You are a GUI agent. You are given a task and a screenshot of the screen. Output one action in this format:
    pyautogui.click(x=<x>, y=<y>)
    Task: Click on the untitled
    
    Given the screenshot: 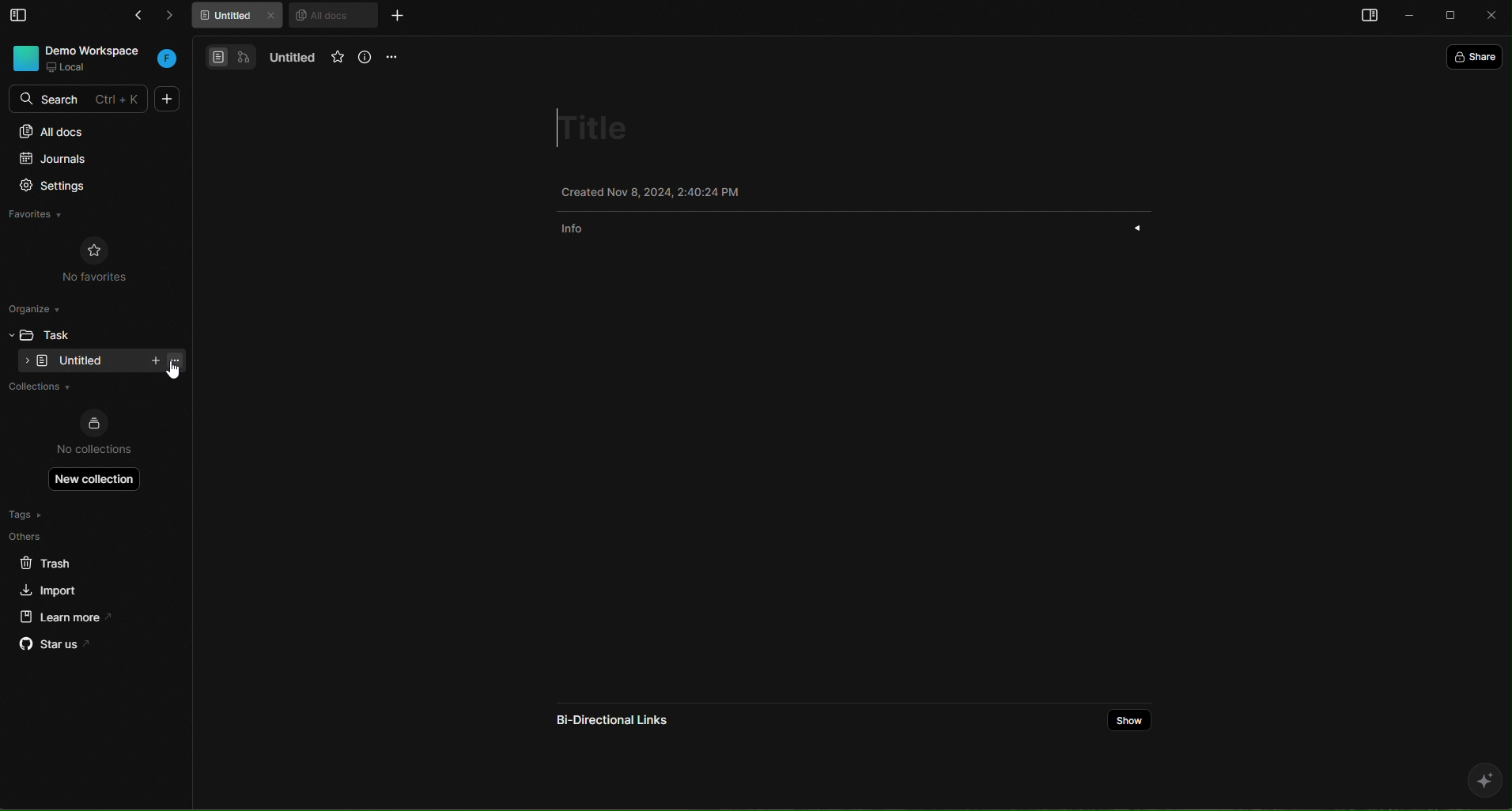 What is the action you would take?
    pyautogui.click(x=240, y=17)
    